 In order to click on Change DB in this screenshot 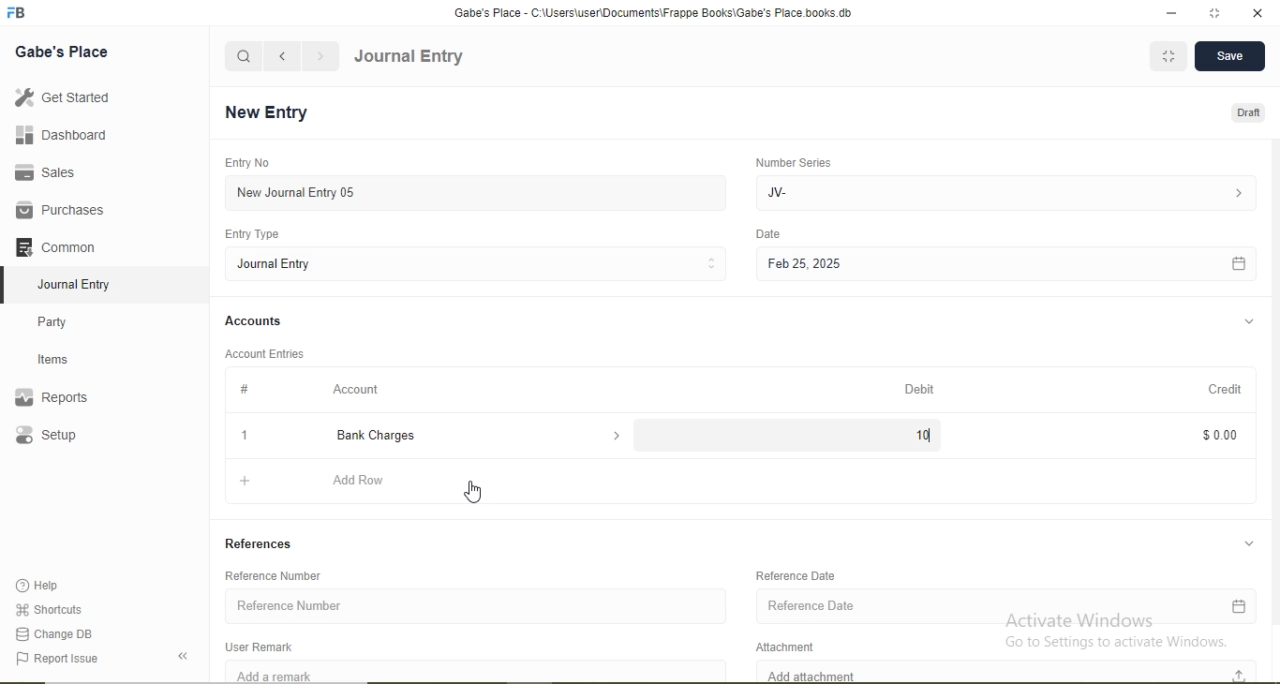, I will do `click(55, 633)`.